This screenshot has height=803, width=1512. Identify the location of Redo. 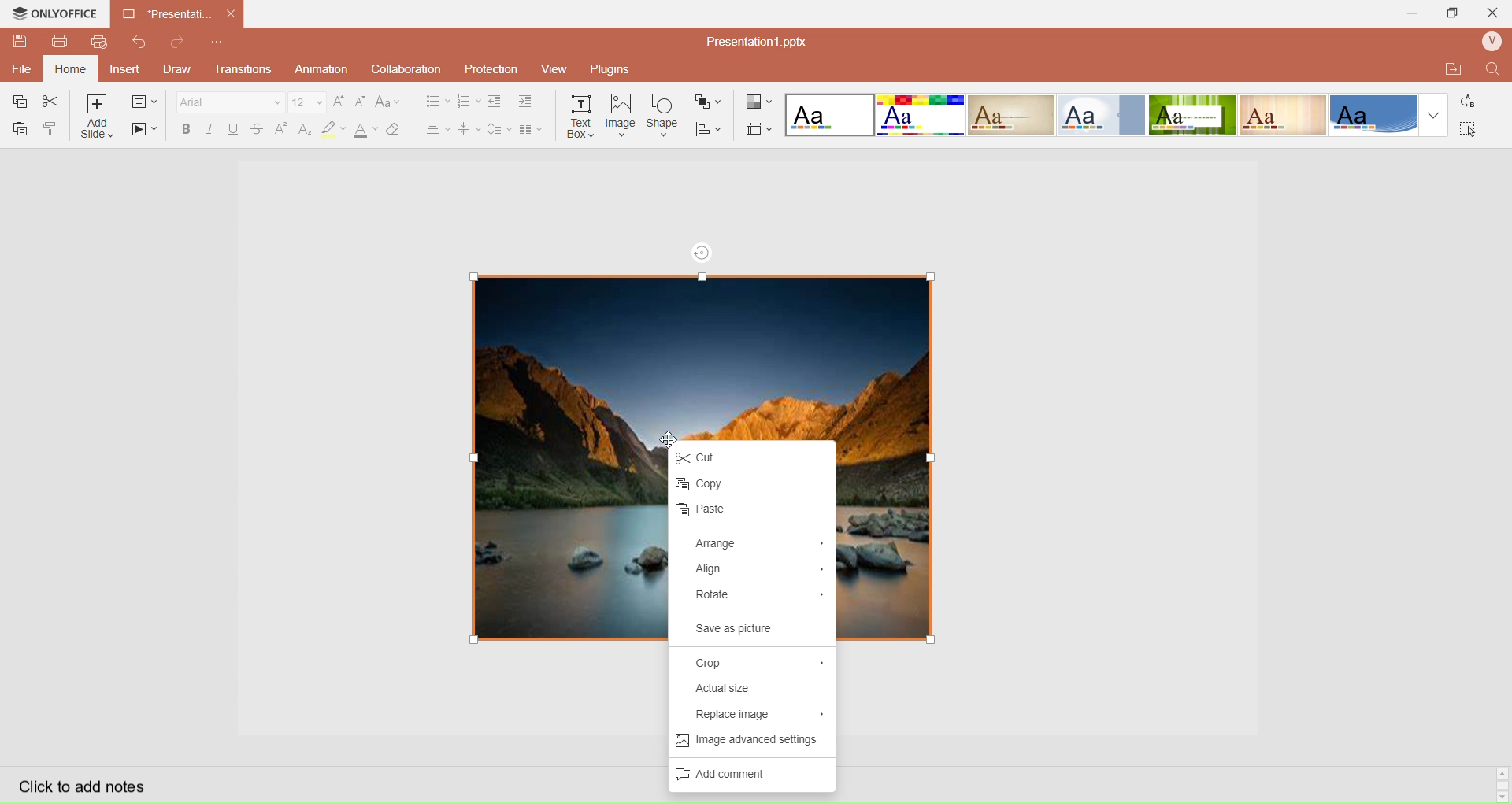
(140, 43).